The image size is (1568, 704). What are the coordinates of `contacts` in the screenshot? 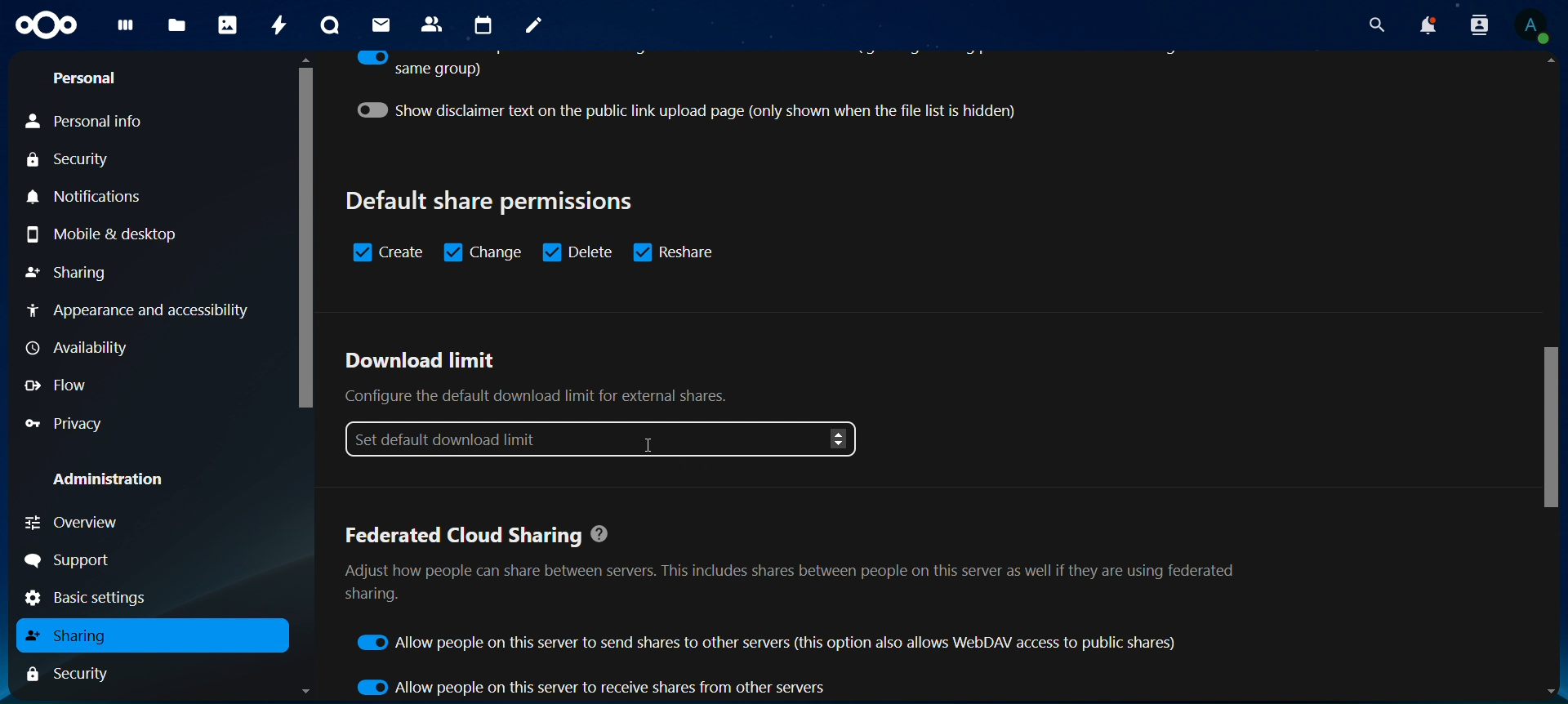 It's located at (434, 24).